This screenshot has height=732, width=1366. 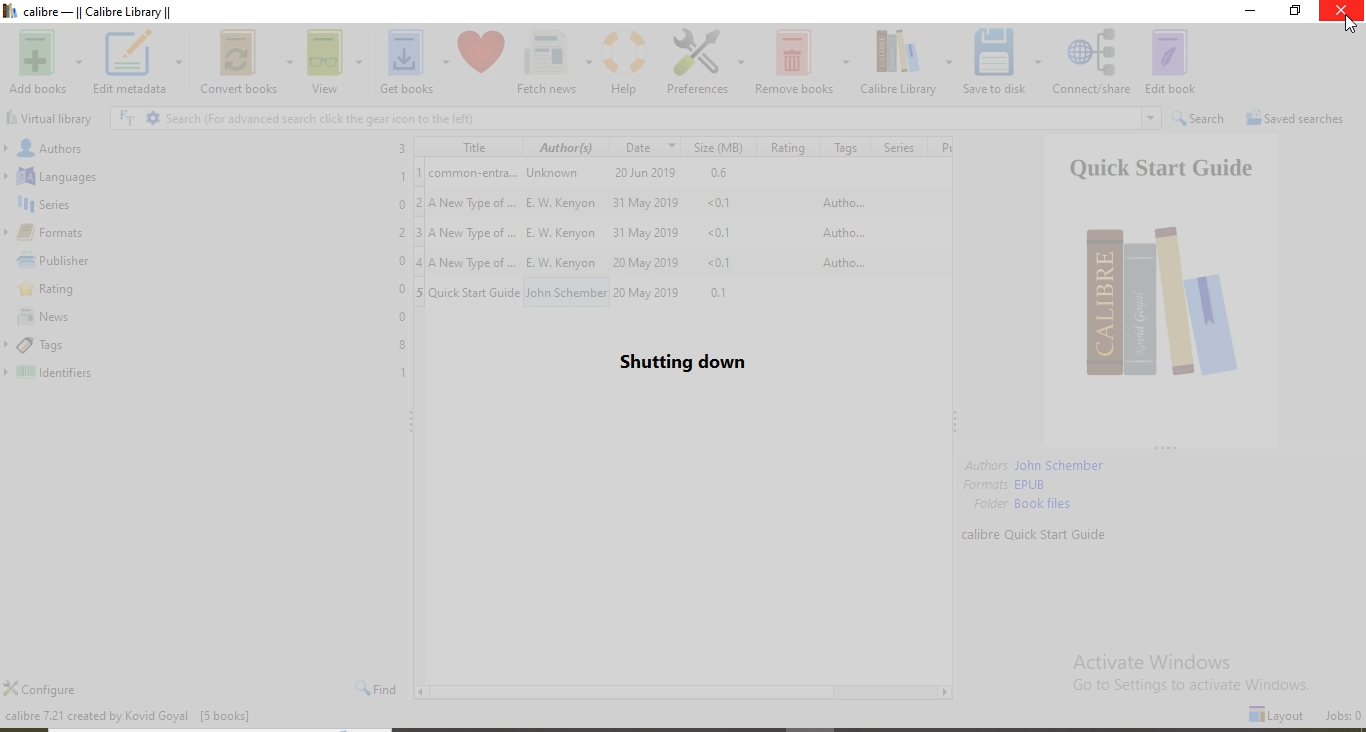 I want to click on News, so click(x=207, y=318).